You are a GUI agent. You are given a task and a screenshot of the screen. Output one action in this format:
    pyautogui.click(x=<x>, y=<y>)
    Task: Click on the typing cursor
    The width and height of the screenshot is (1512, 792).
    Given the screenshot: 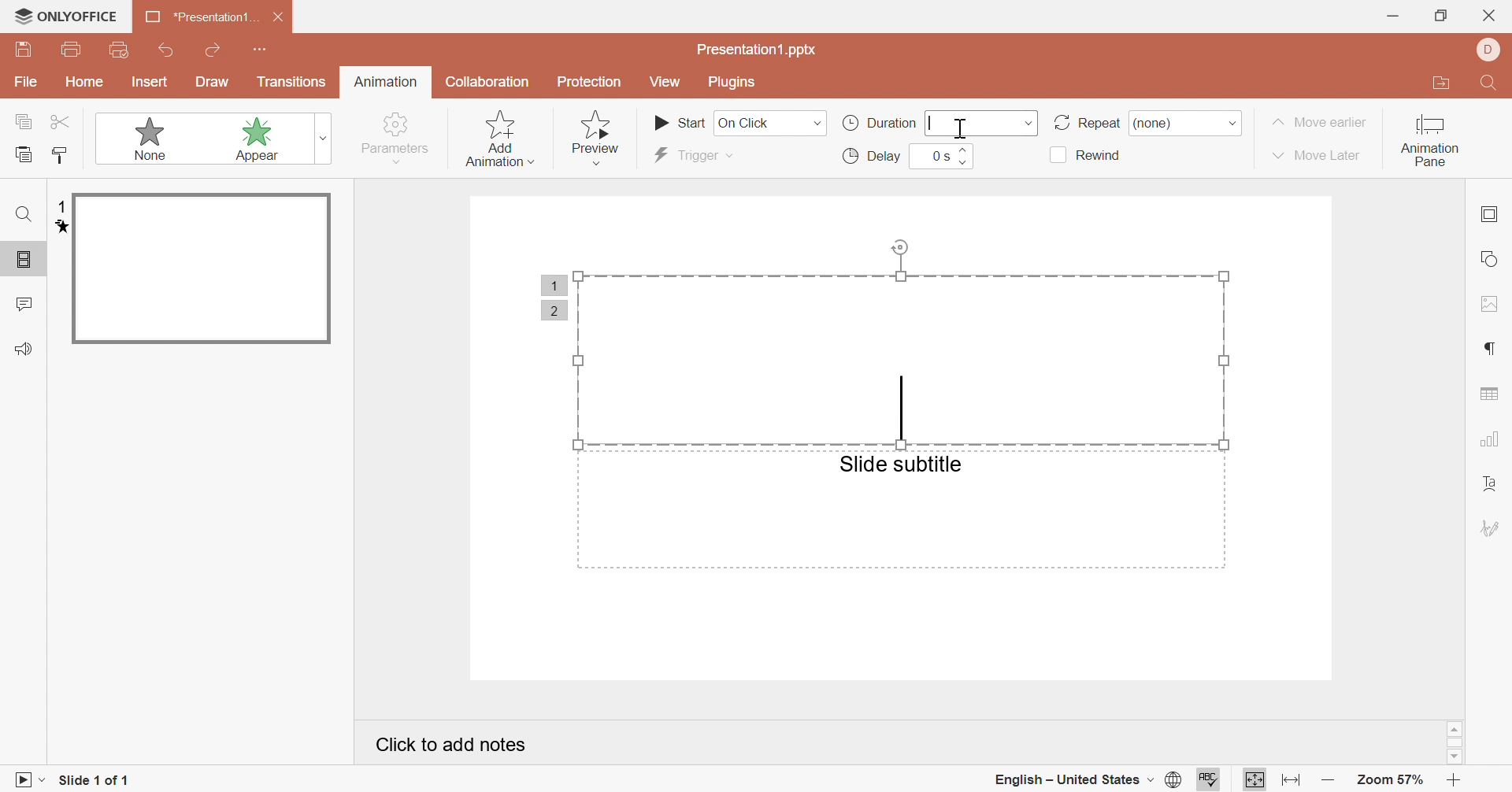 What is the action you would take?
    pyautogui.click(x=932, y=121)
    